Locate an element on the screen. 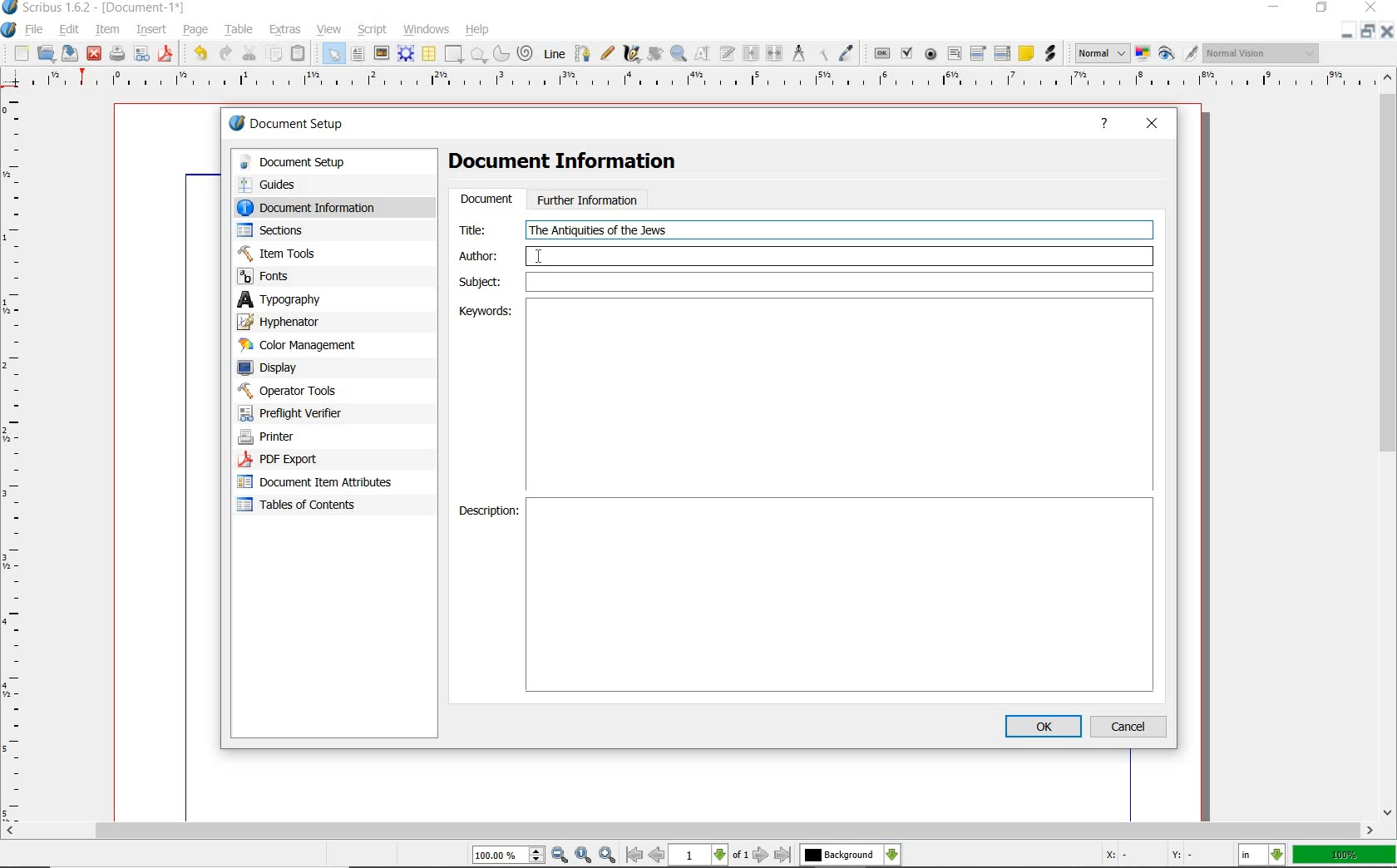 The height and width of the screenshot is (868, 1397). Bezier curve is located at coordinates (582, 53).